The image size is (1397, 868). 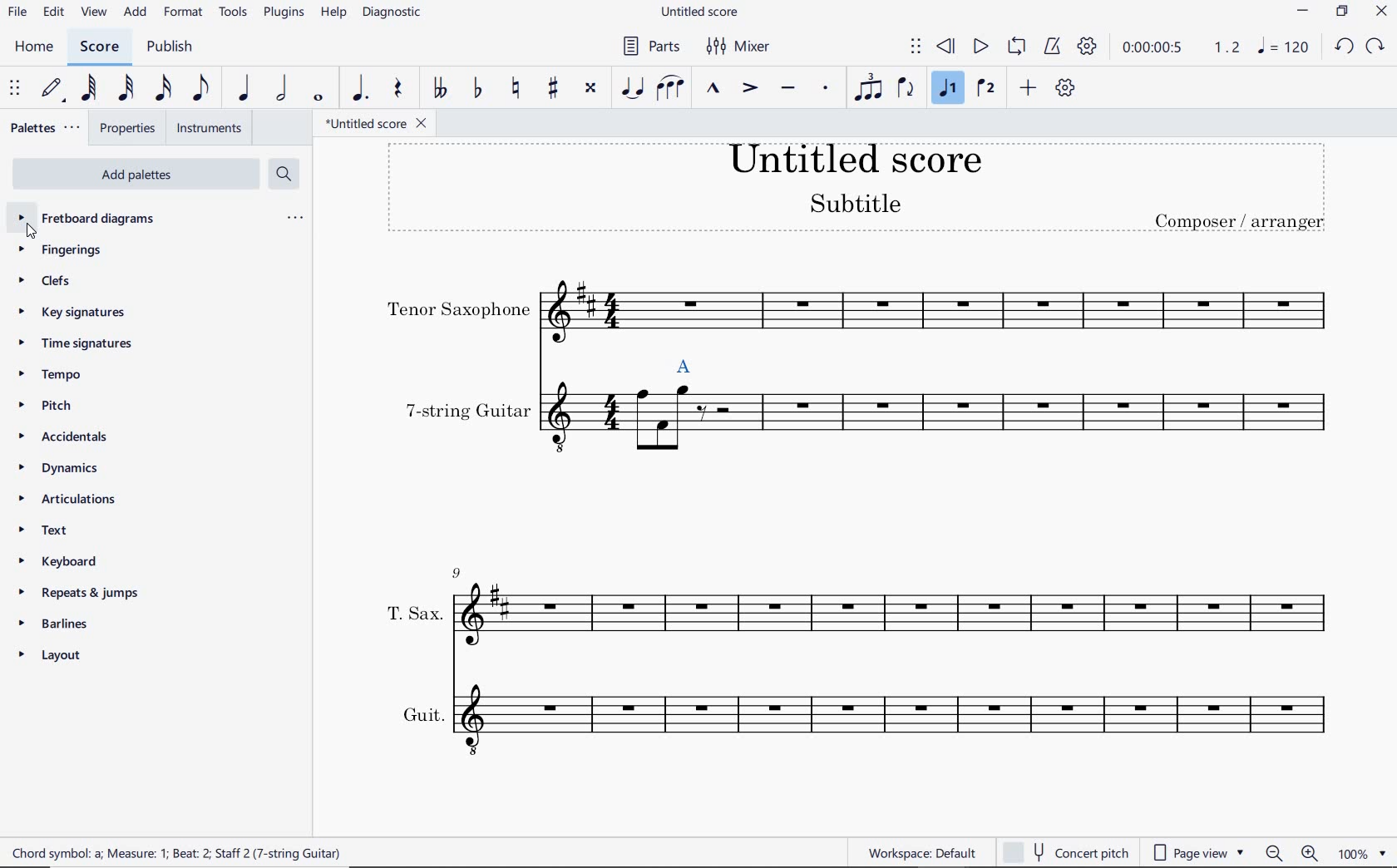 I want to click on SLUR, so click(x=671, y=86).